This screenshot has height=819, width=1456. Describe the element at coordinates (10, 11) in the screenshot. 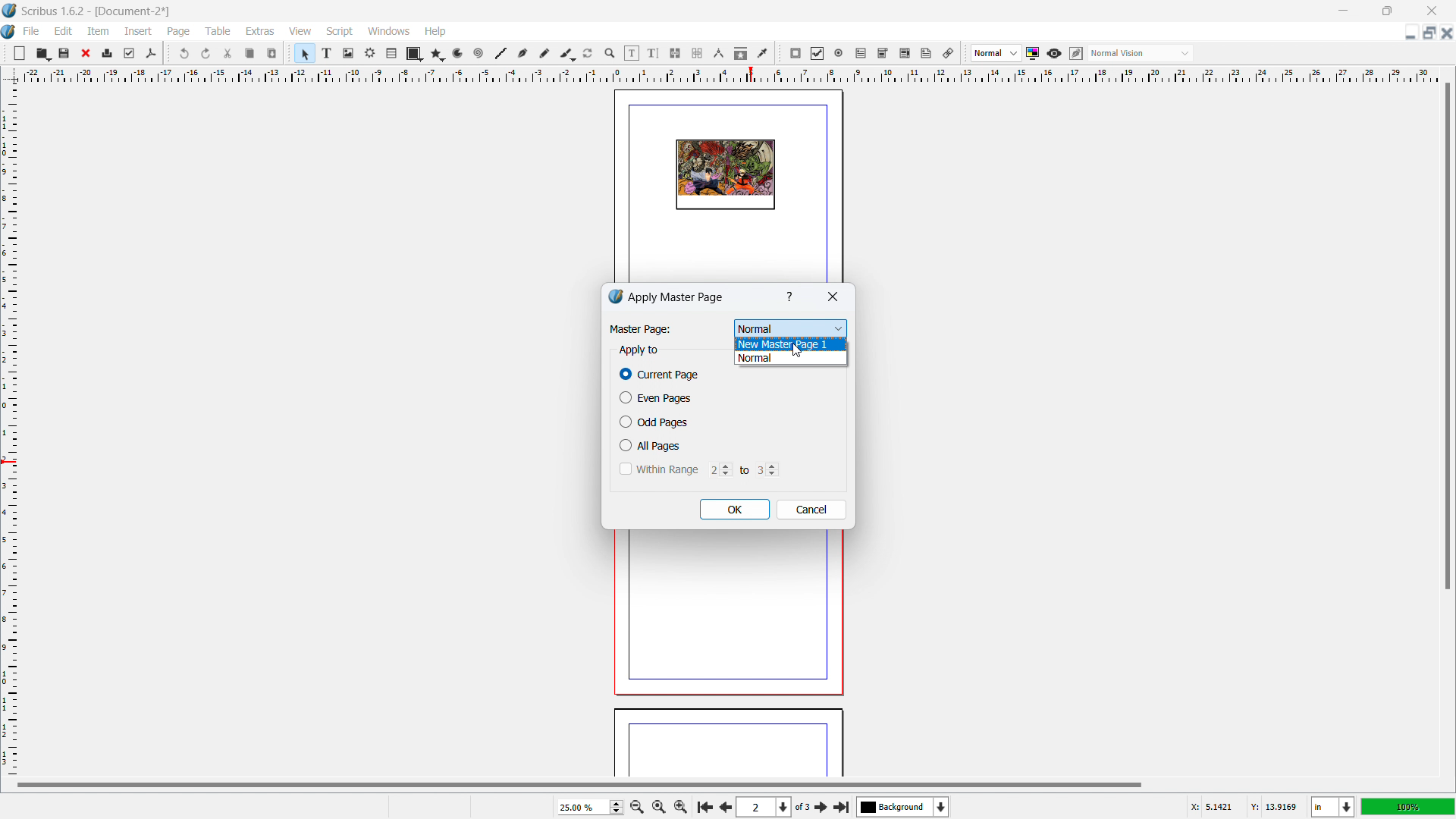

I see `logo` at that location.